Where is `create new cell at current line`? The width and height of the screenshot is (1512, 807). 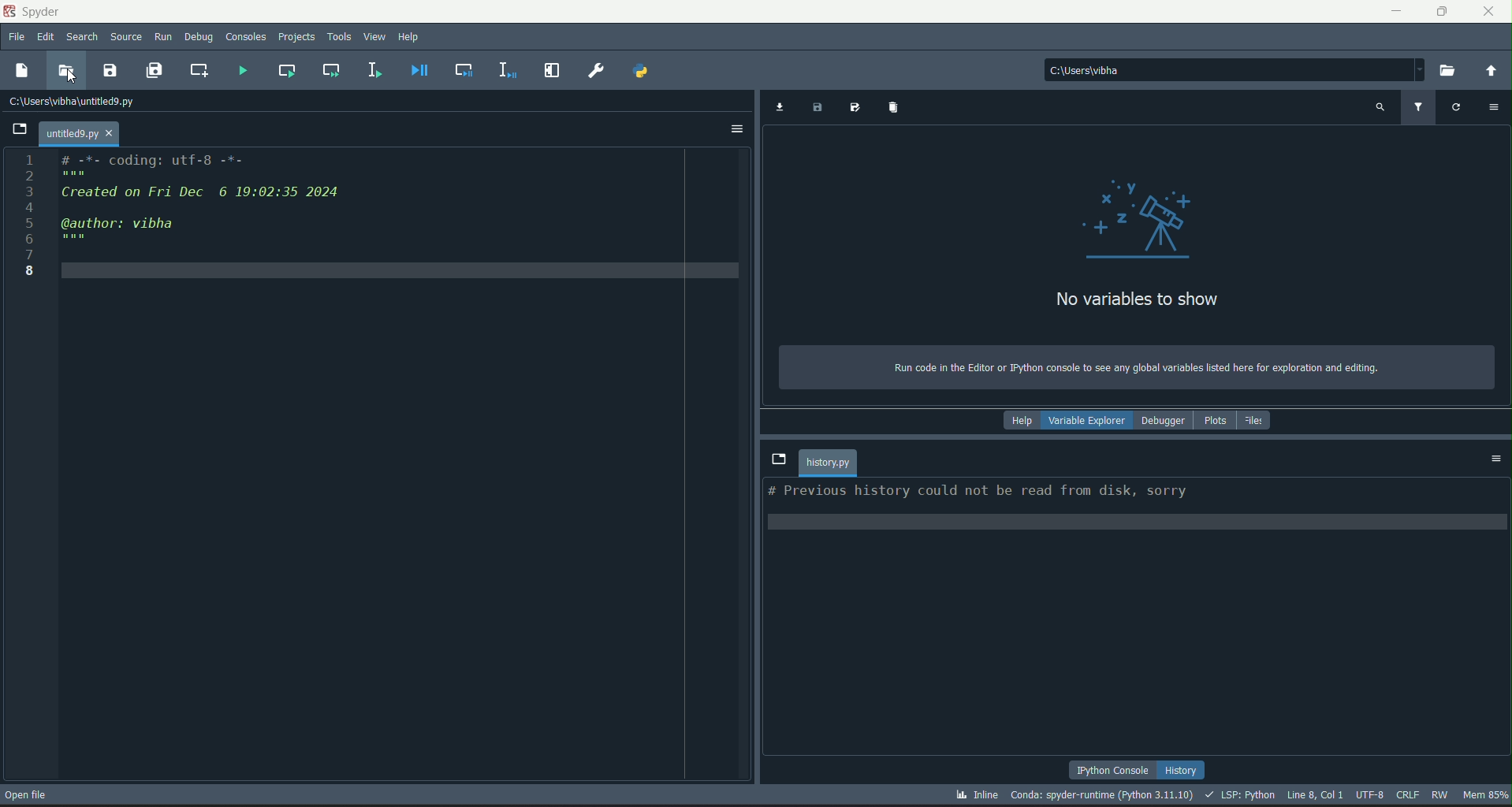
create new cell at current line is located at coordinates (196, 69).